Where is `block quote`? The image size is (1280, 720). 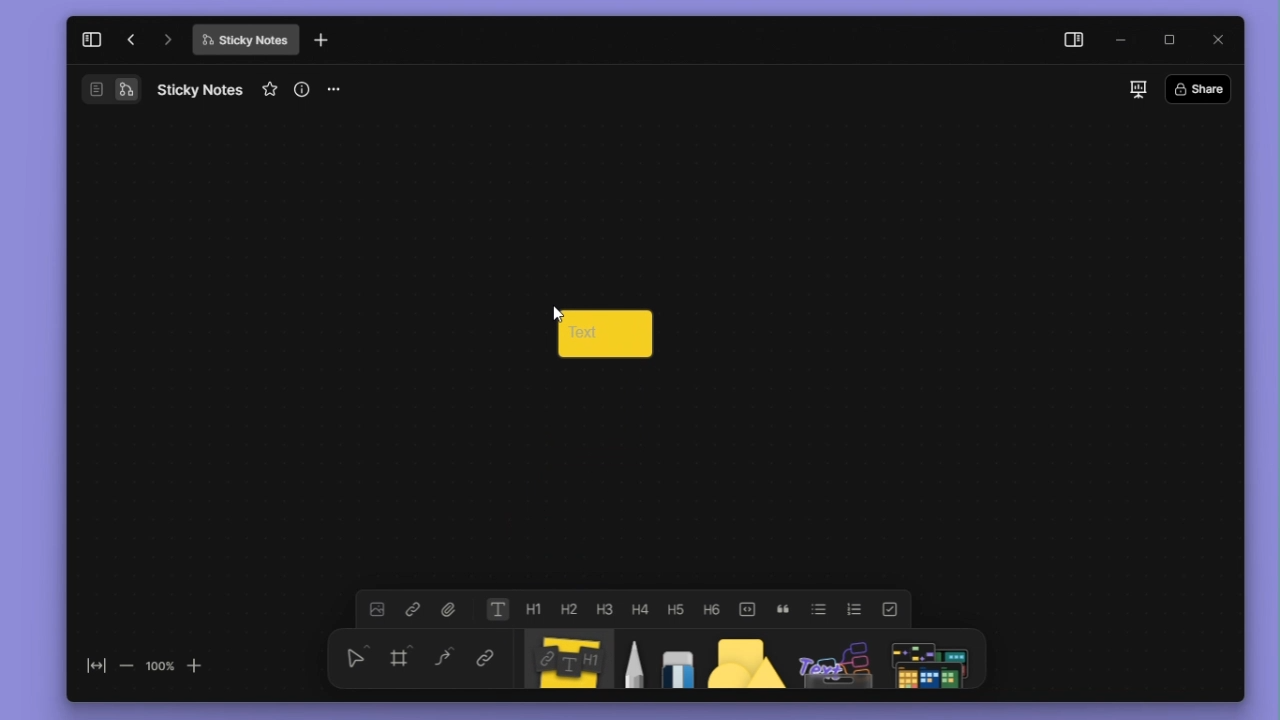
block quote is located at coordinates (786, 611).